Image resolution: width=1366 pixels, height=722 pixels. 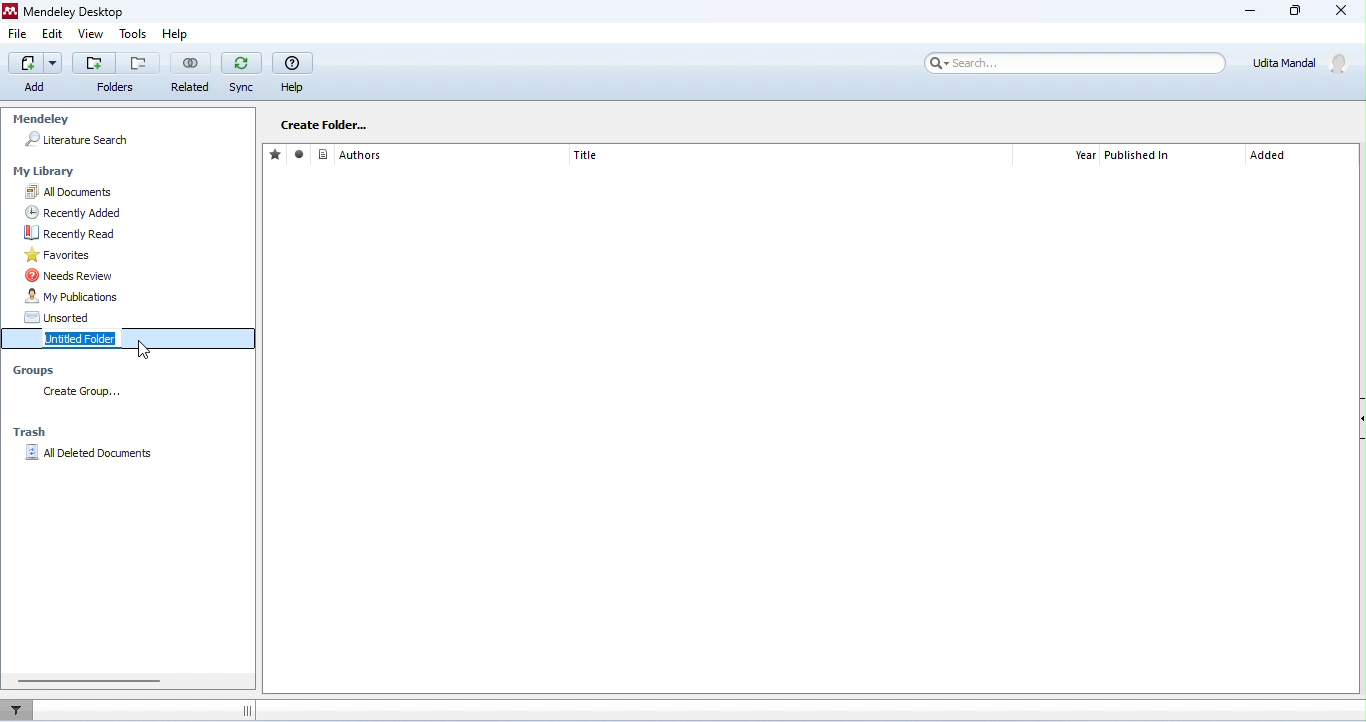 I want to click on recently added, so click(x=134, y=213).